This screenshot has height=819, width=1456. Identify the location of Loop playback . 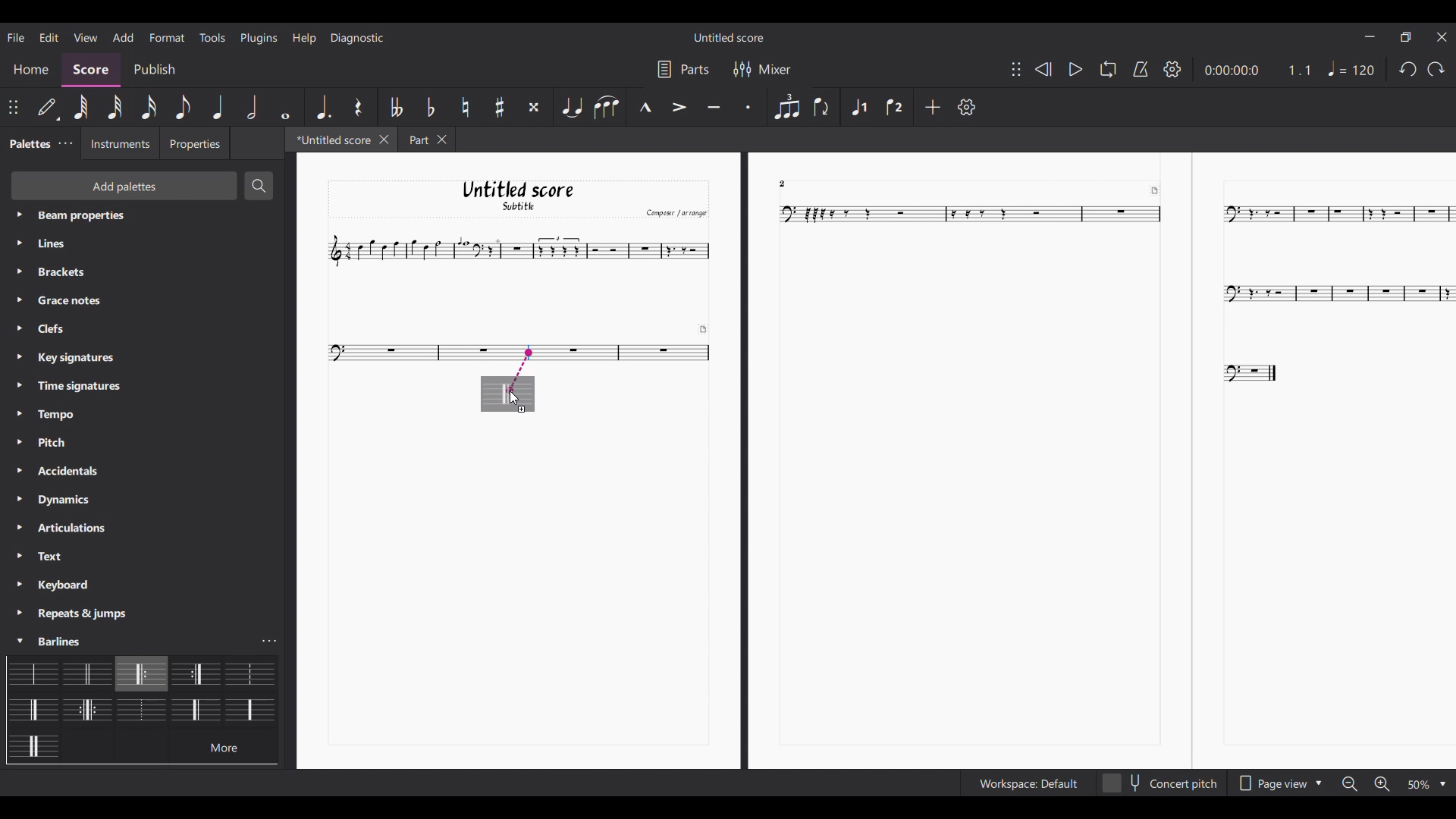
(1109, 69).